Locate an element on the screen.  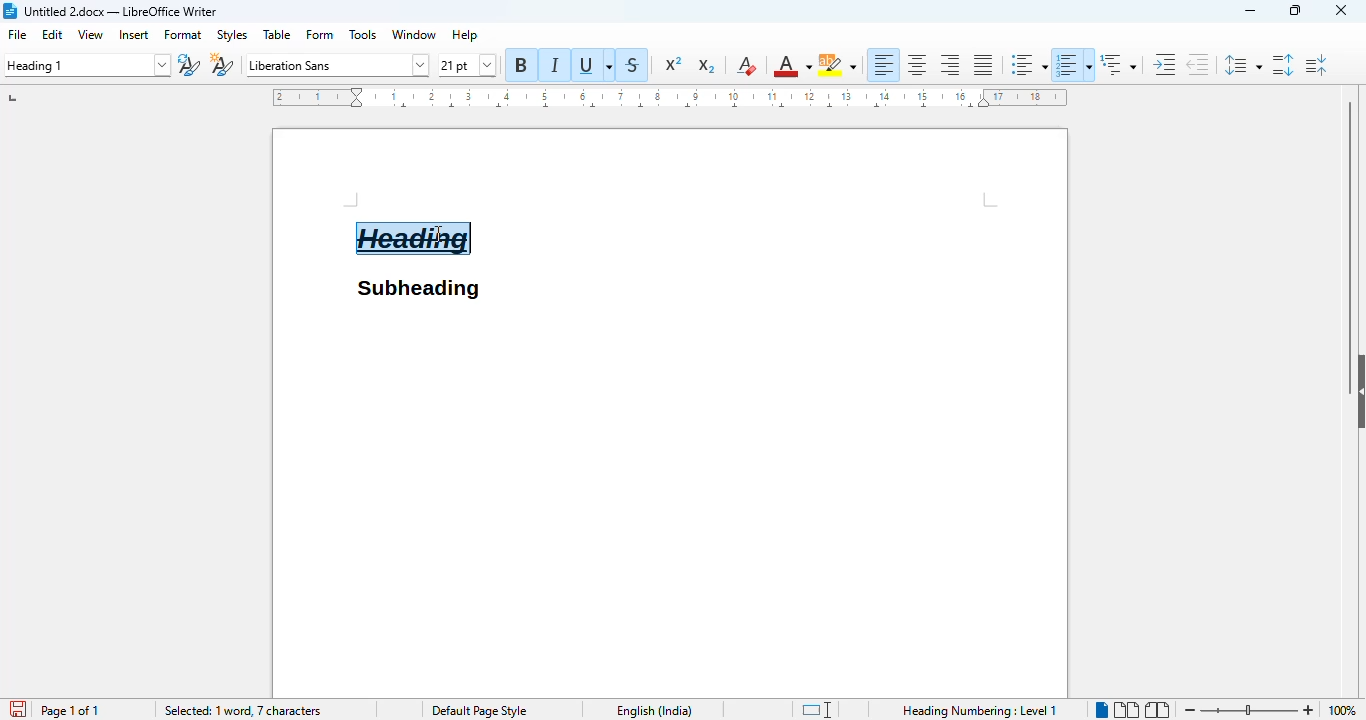
set paragraph style is located at coordinates (86, 65).